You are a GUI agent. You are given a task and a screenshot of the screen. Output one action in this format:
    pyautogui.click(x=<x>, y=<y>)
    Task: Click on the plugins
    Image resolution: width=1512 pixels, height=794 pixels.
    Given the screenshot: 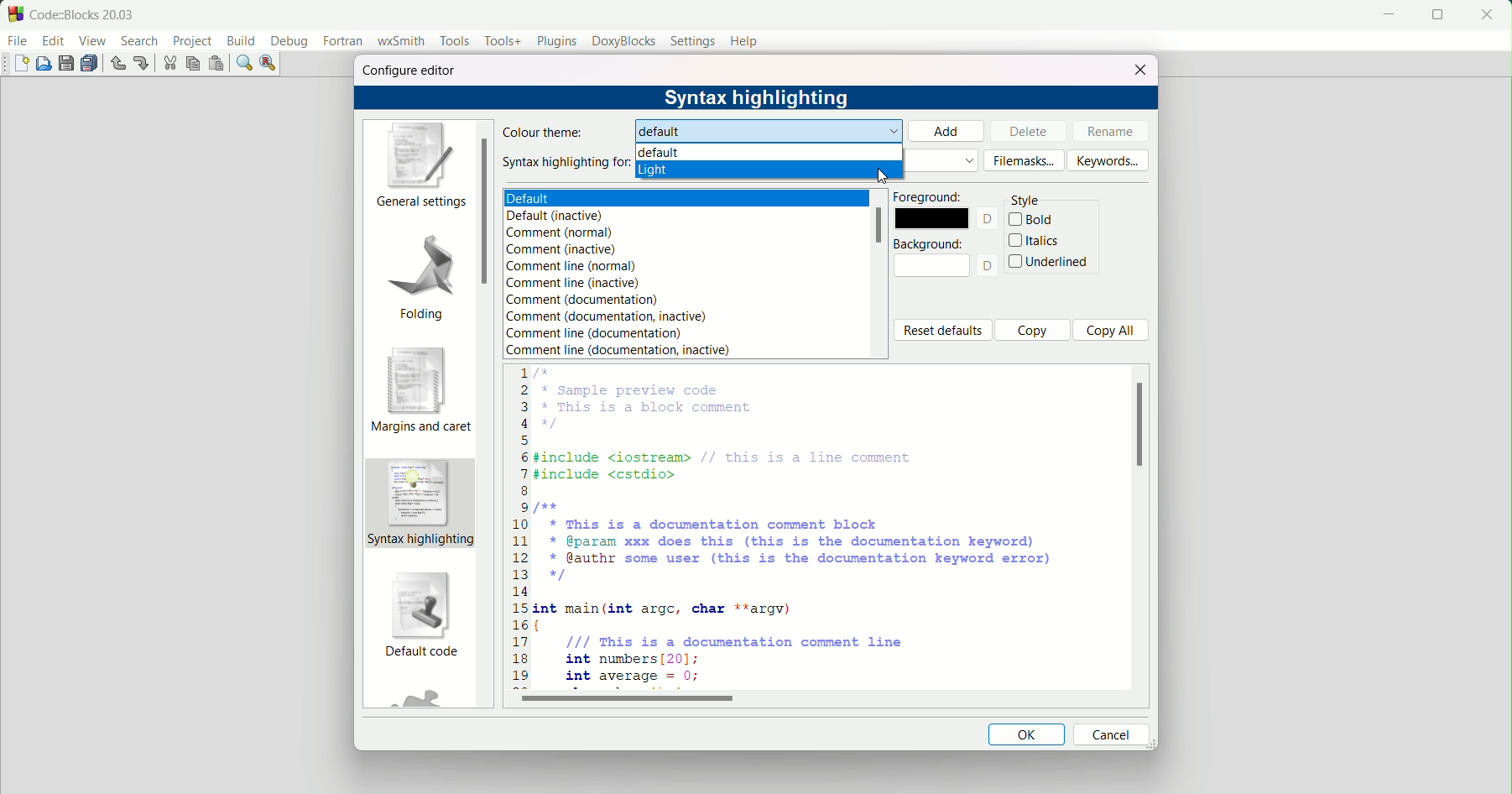 What is the action you would take?
    pyautogui.click(x=553, y=40)
    